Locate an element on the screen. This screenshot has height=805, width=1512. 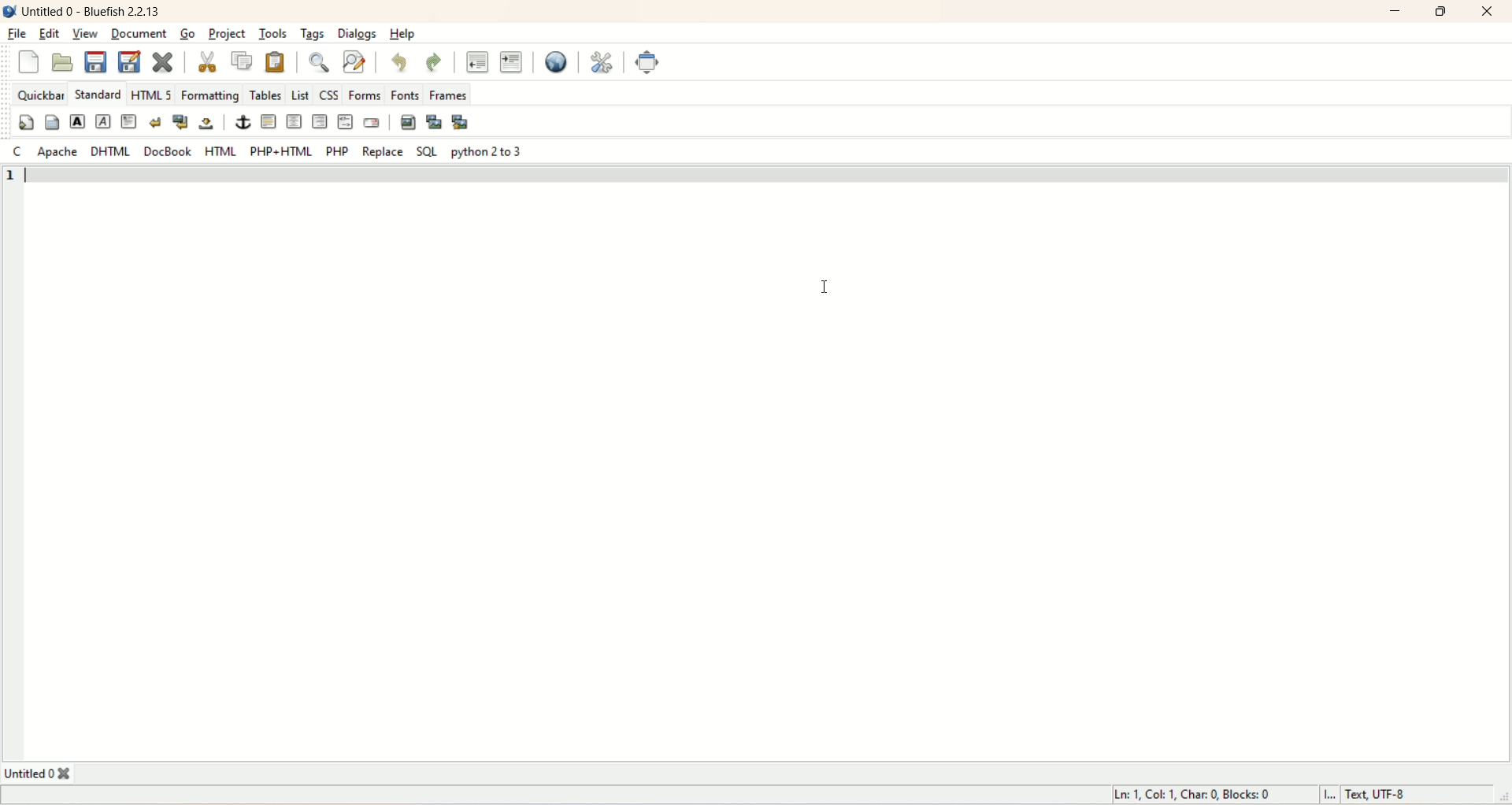
cut is located at coordinates (214, 61).